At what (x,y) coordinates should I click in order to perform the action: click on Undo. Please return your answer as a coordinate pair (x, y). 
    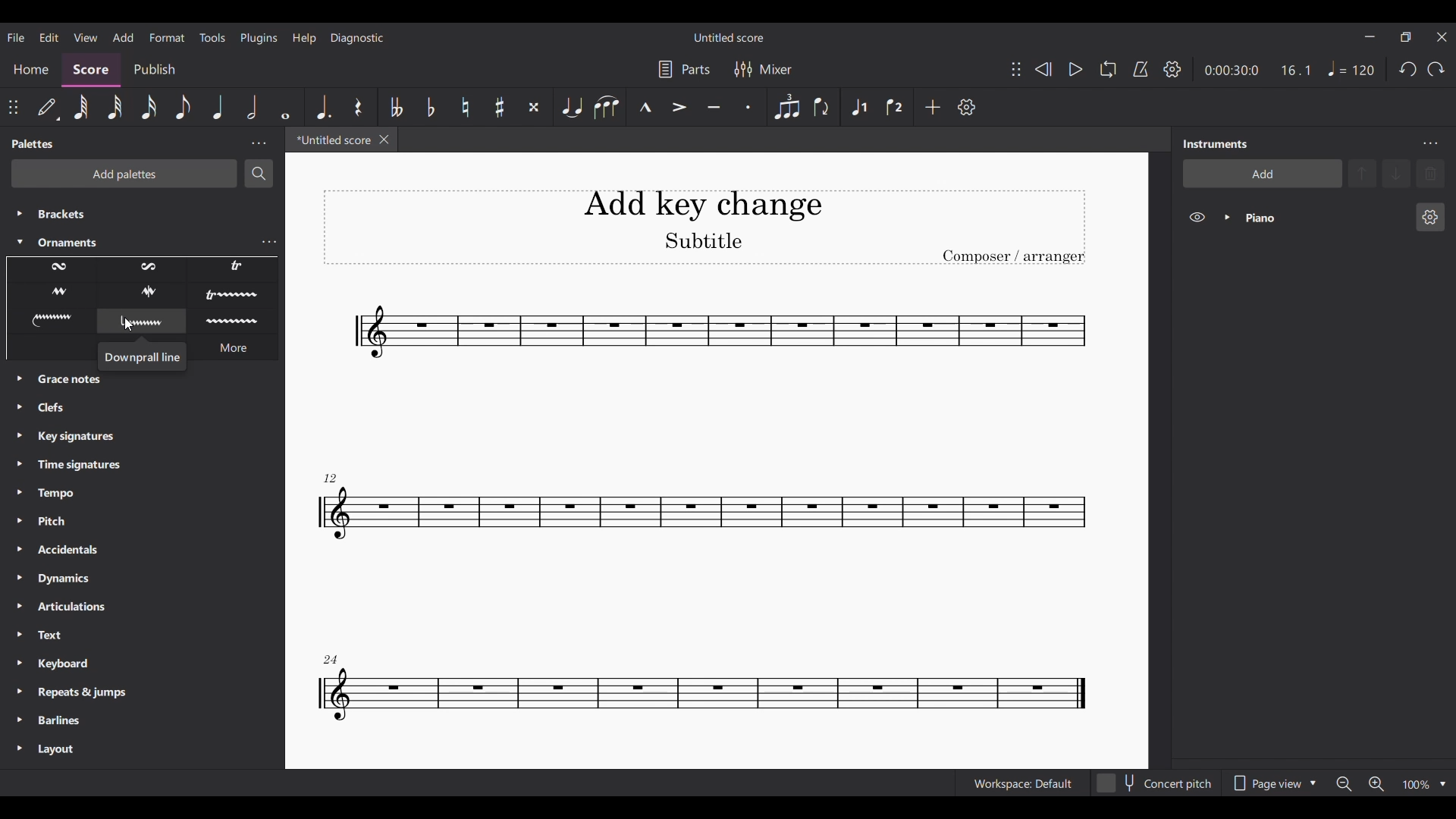
    Looking at the image, I should click on (1408, 70).